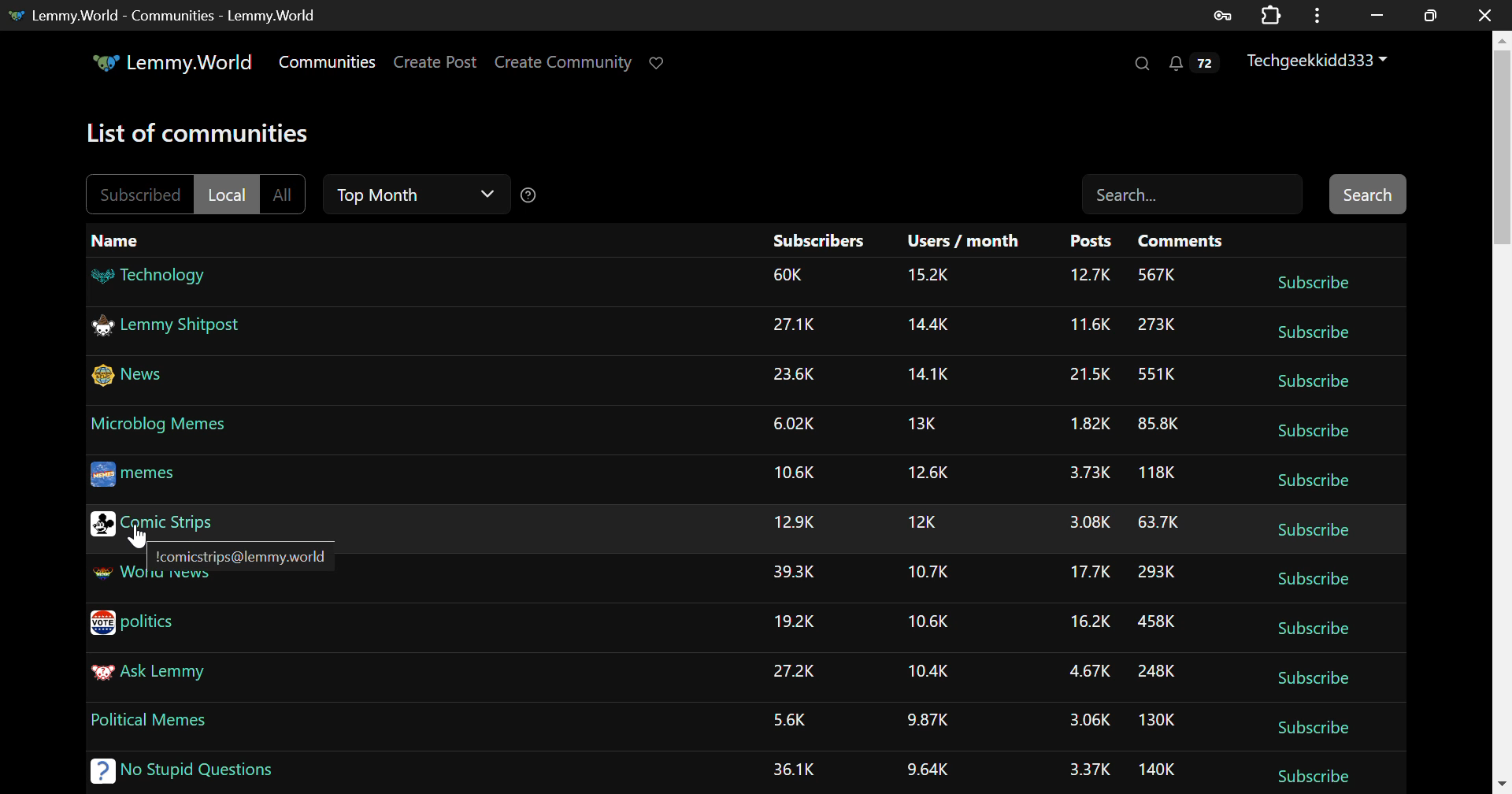 The height and width of the screenshot is (794, 1512). Describe the element at coordinates (1156, 471) in the screenshot. I see `Amount` at that location.